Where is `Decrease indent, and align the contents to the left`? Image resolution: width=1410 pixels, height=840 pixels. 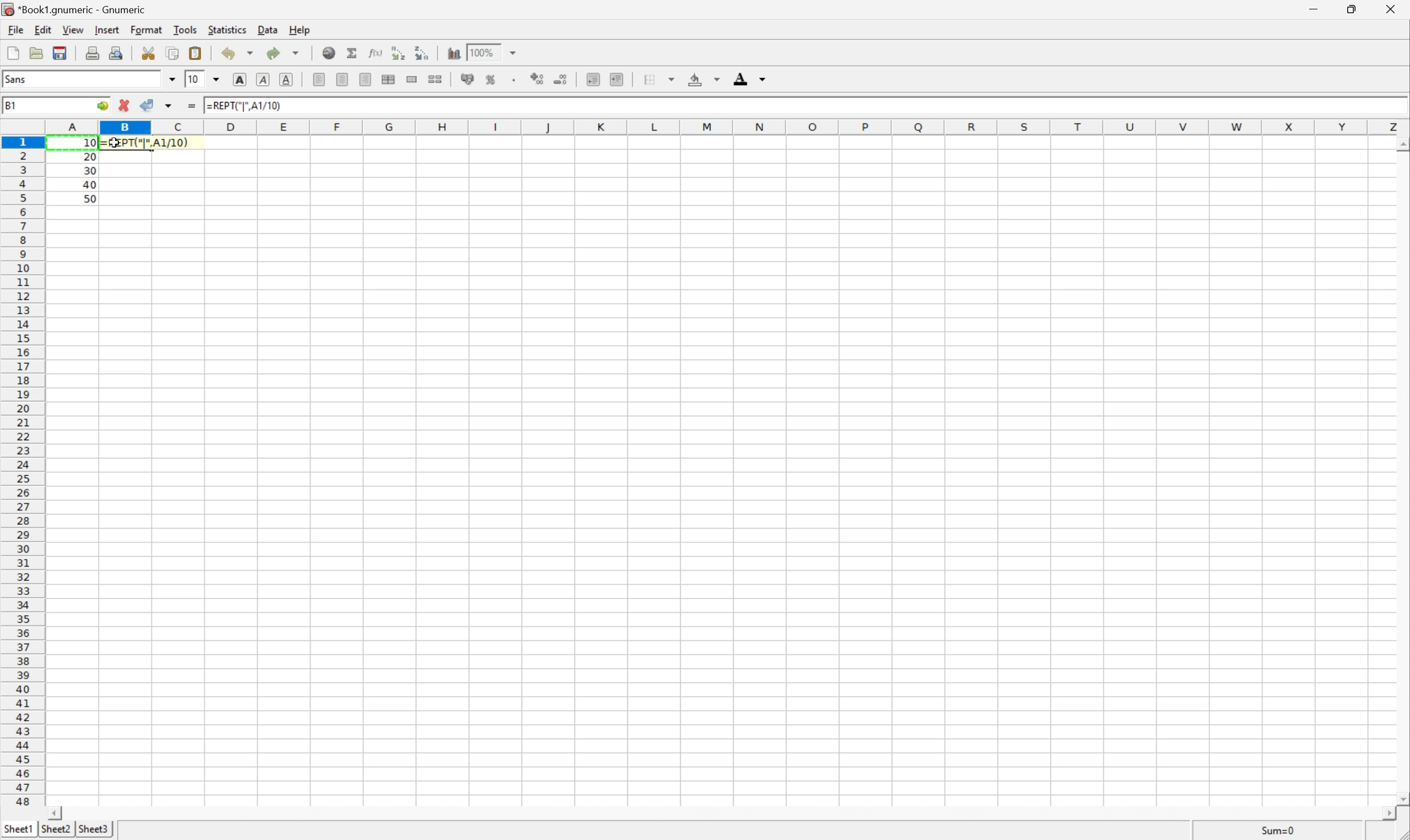 Decrease indent, and align the contents to the left is located at coordinates (593, 78).